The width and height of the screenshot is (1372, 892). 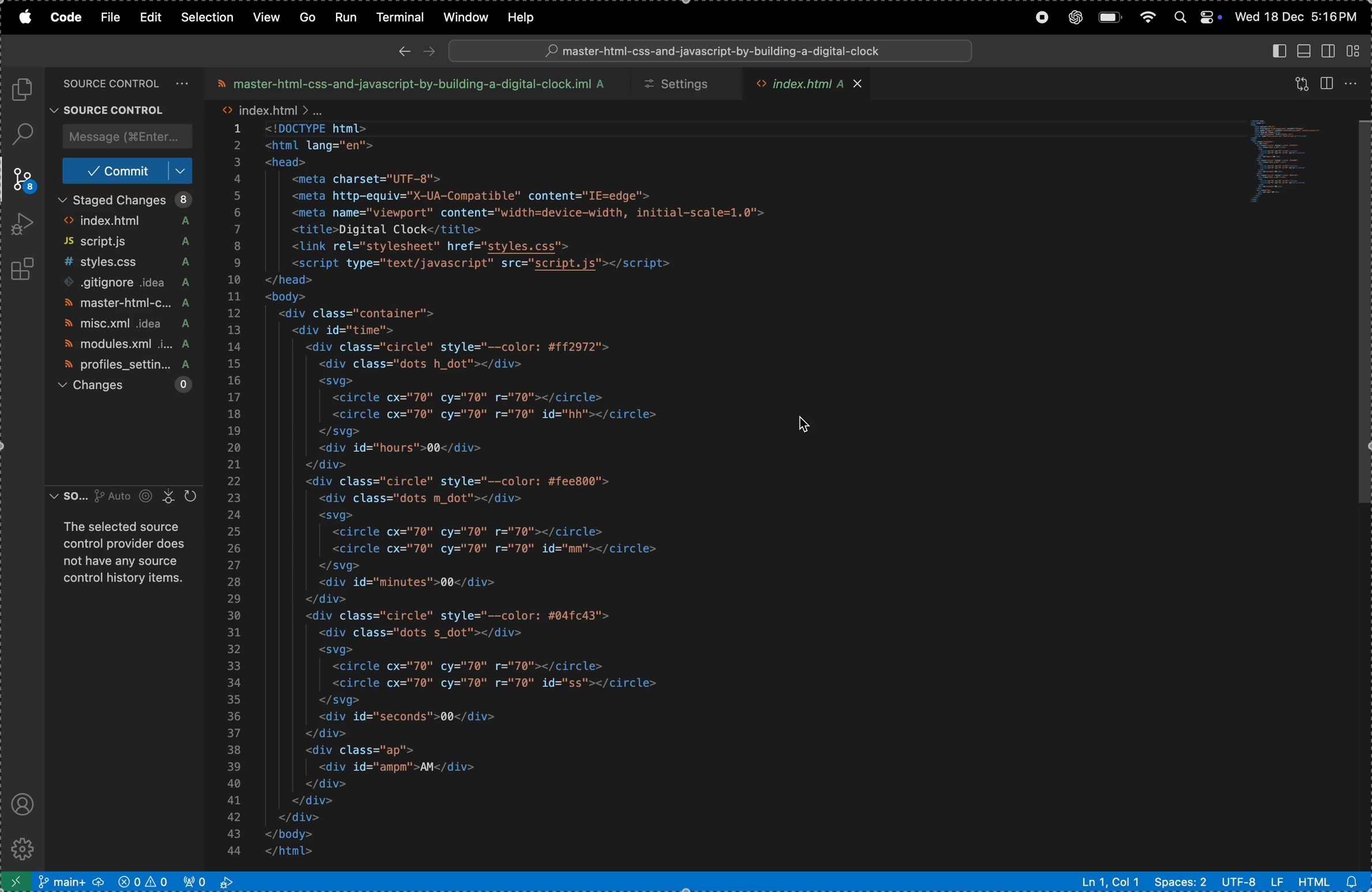 What do you see at coordinates (307, 17) in the screenshot?
I see `go` at bounding box center [307, 17].